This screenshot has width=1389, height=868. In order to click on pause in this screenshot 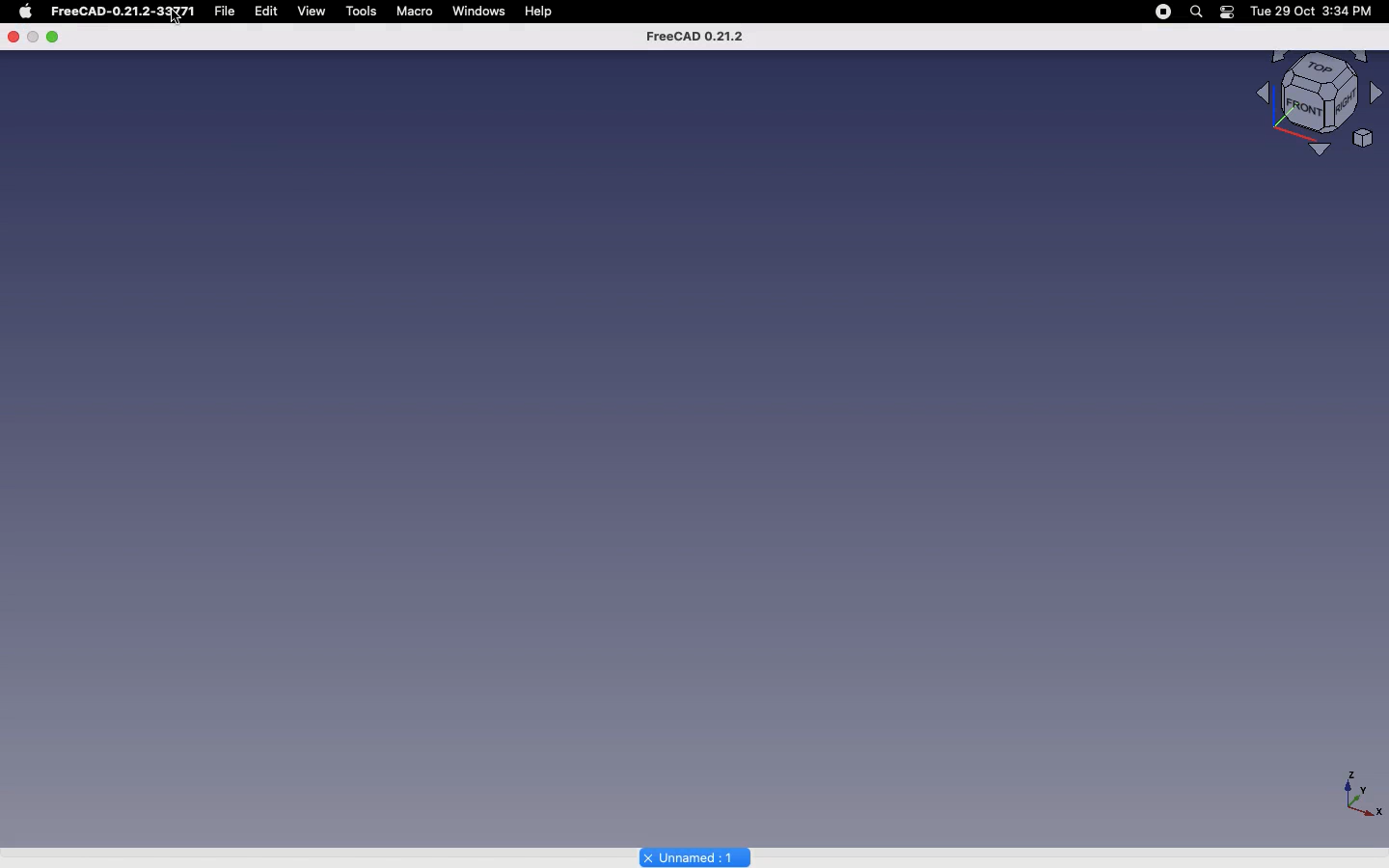, I will do `click(35, 36)`.